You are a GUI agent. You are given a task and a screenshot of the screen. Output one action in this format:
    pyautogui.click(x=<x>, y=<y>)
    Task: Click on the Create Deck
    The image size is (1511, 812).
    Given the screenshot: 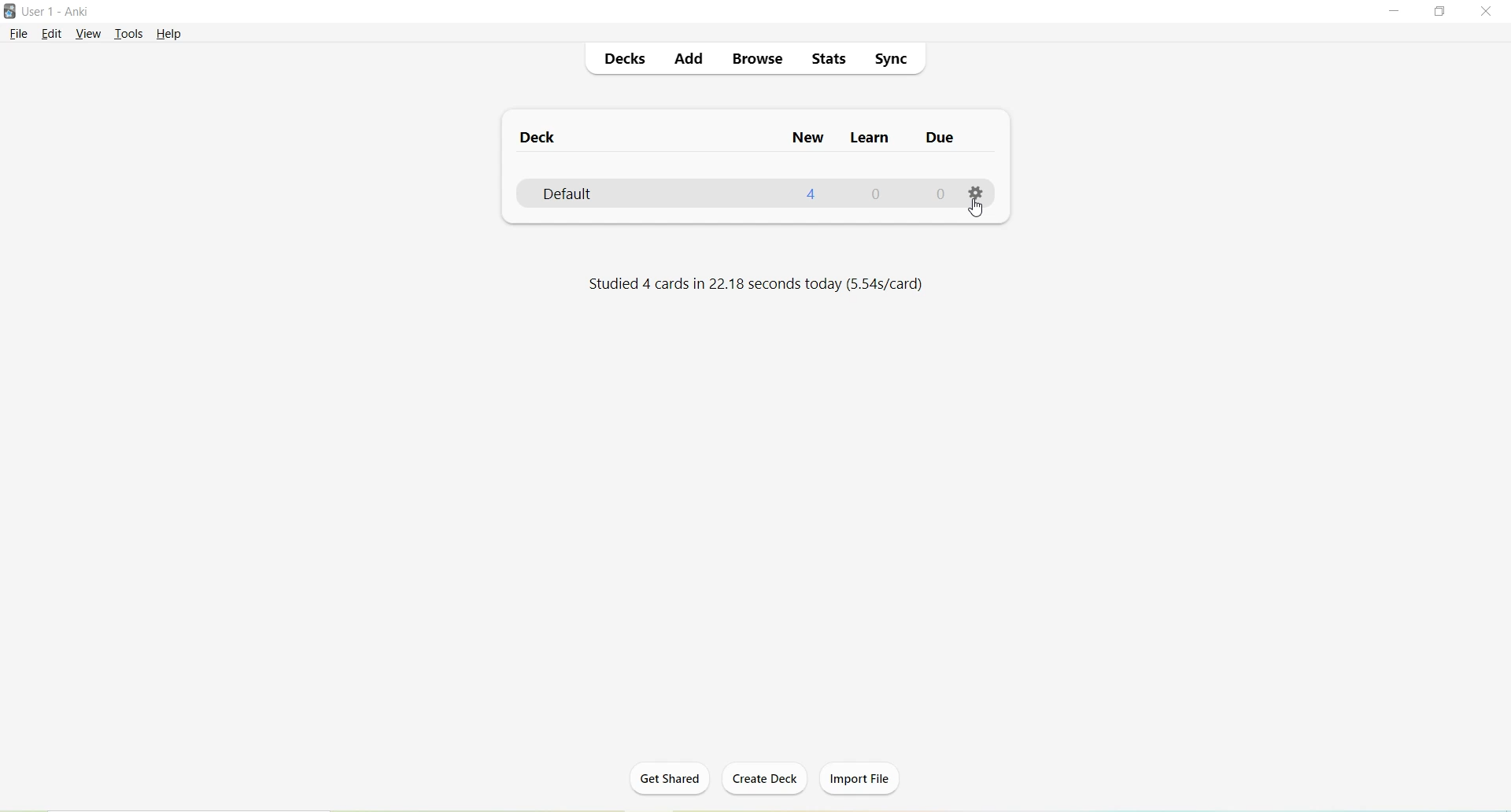 What is the action you would take?
    pyautogui.click(x=763, y=778)
    